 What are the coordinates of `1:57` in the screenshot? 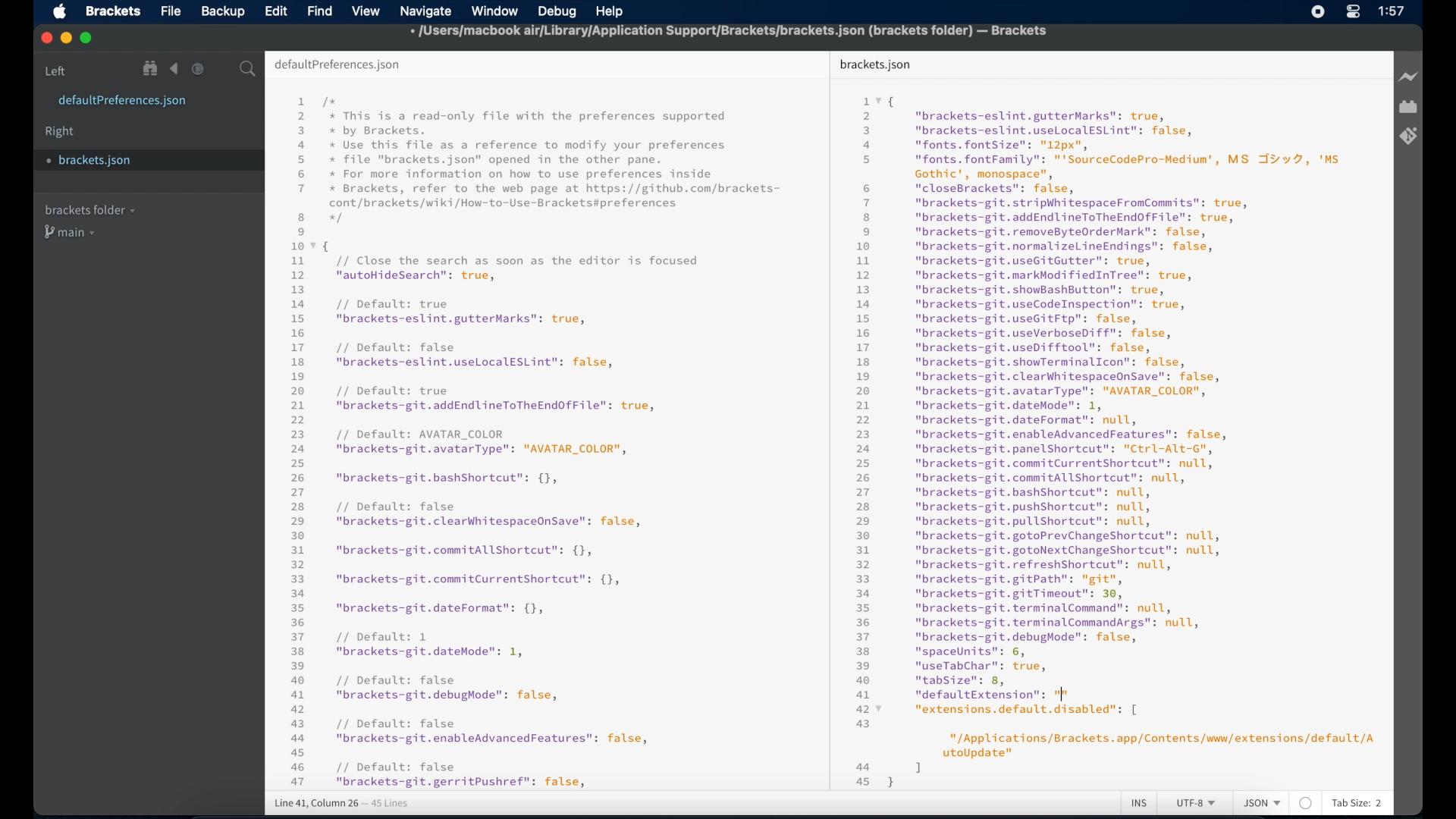 It's located at (1393, 11).